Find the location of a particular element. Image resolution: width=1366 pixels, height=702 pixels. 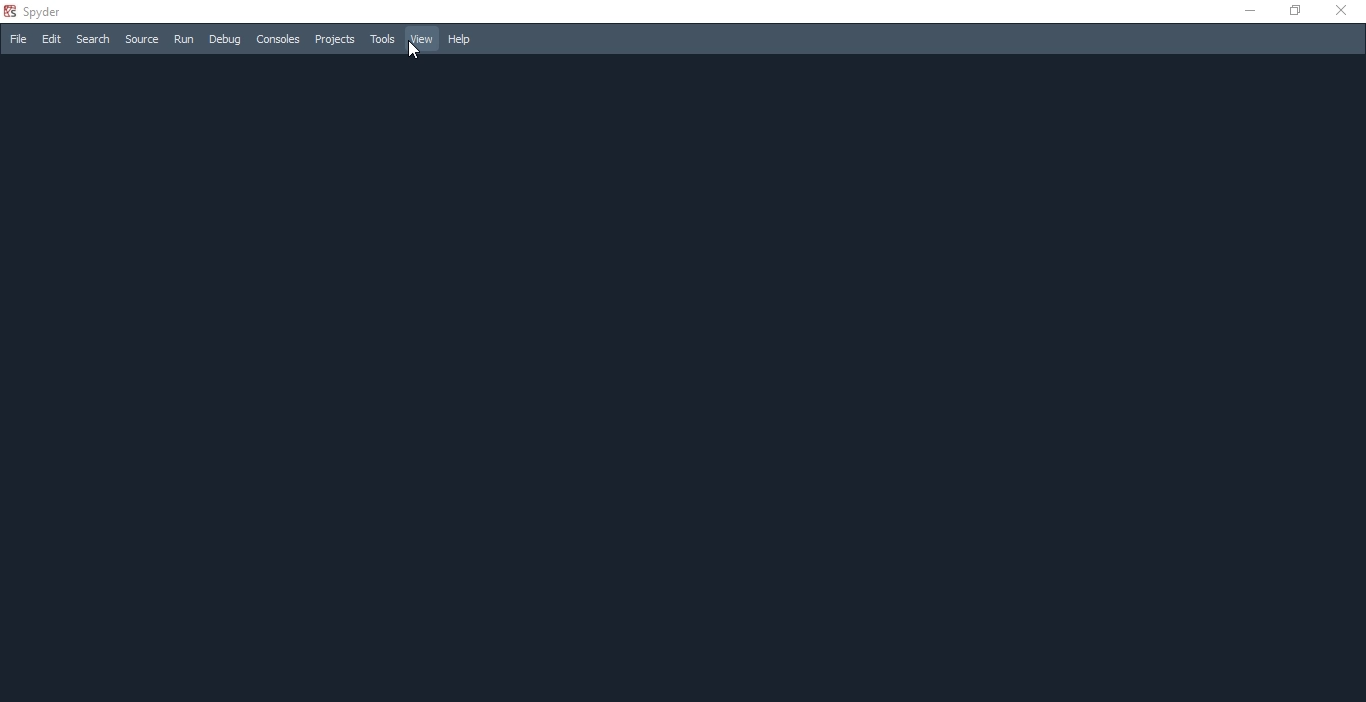

close is located at coordinates (1344, 14).